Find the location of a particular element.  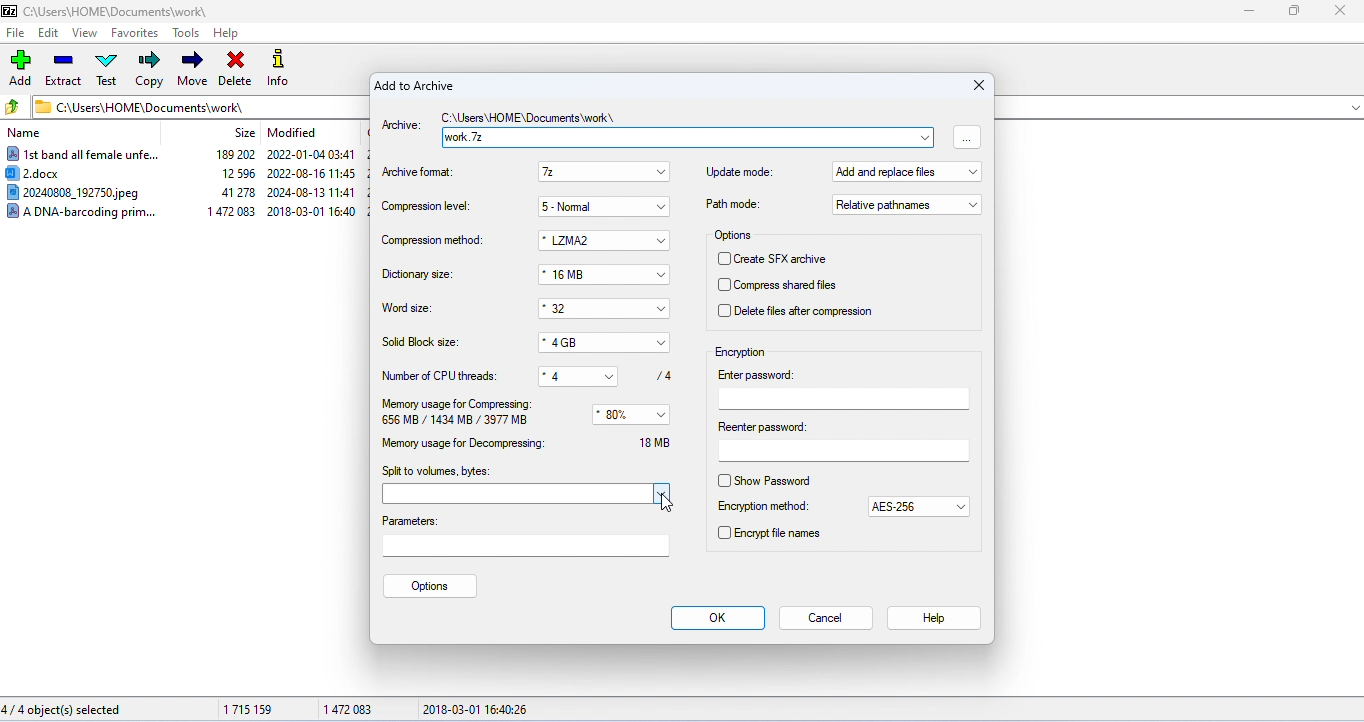

drop down is located at coordinates (662, 242).